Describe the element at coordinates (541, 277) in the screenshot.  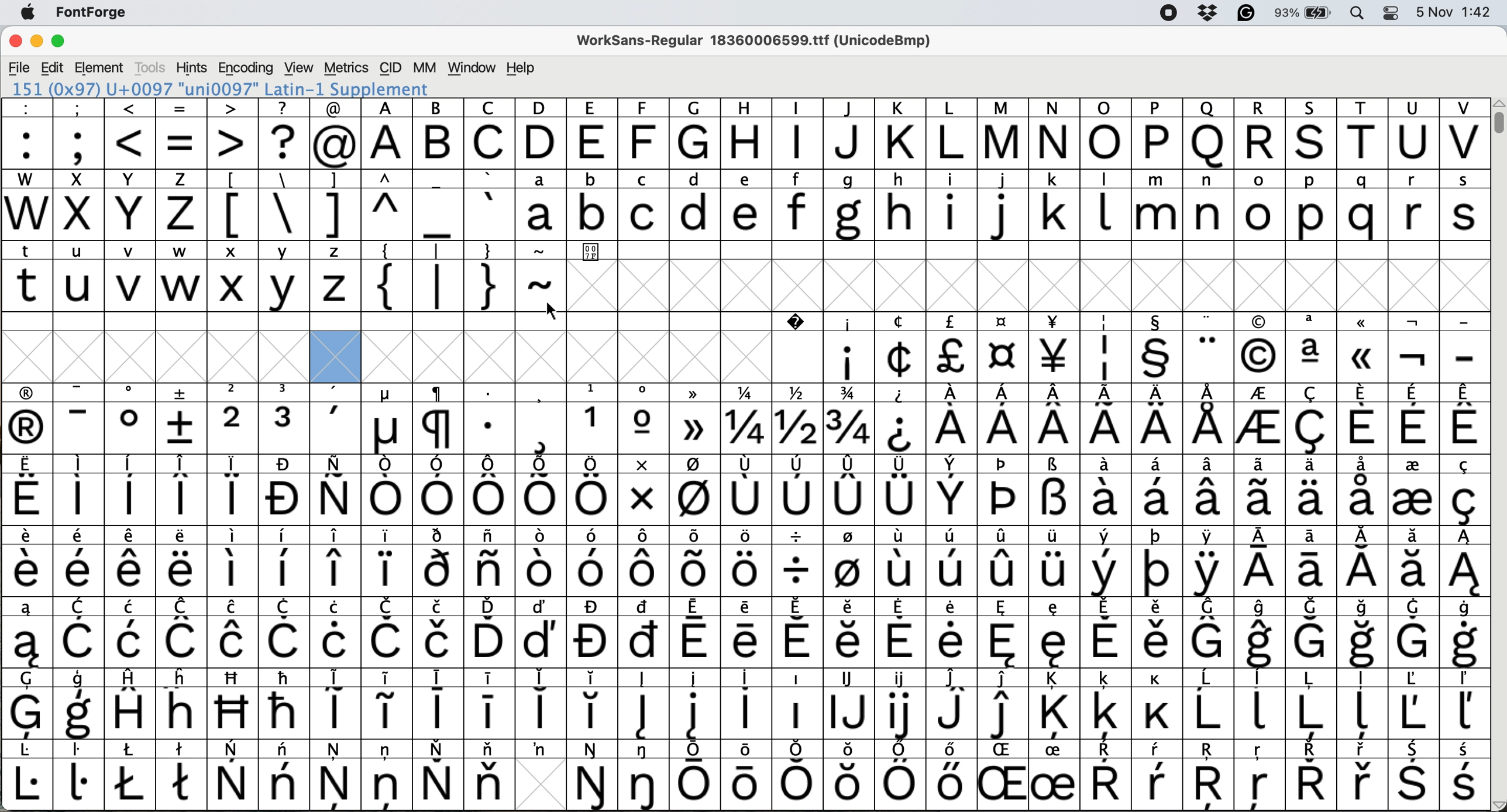
I see `~` at that location.